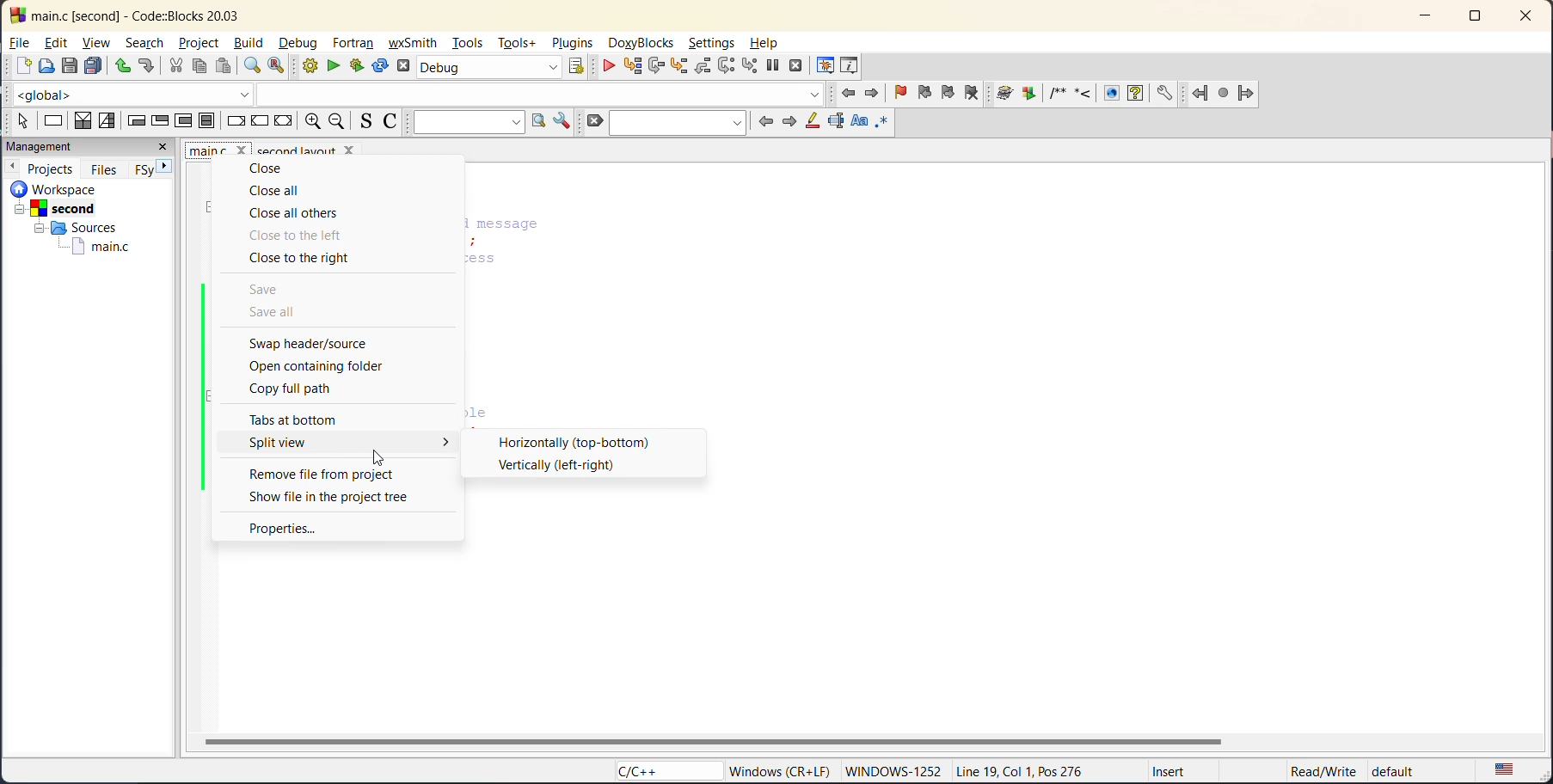 The height and width of the screenshot is (784, 1553). Describe the element at coordinates (304, 420) in the screenshot. I see `tabs at bottom` at that location.